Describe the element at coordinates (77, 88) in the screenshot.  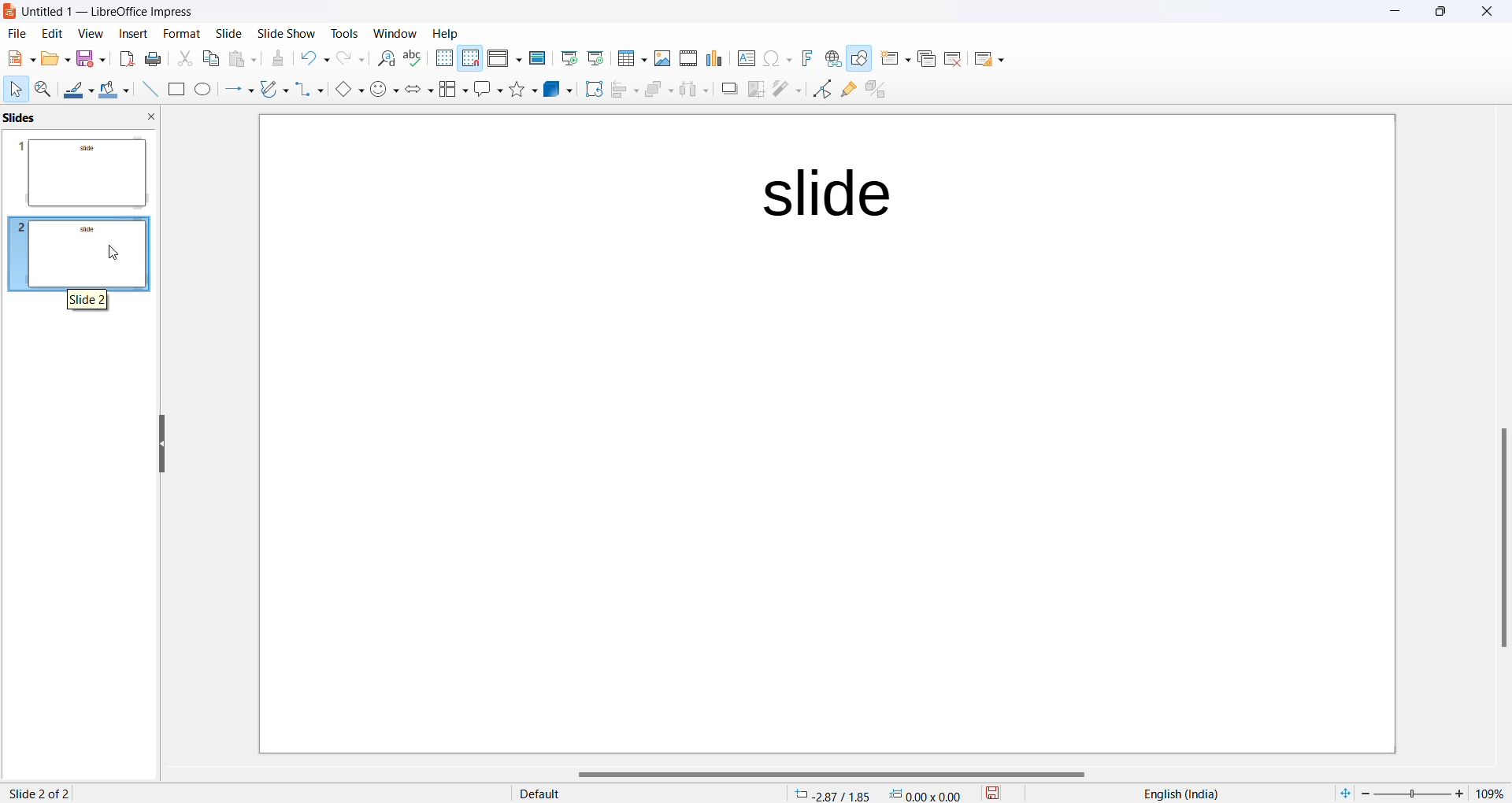
I see `Line color` at that location.